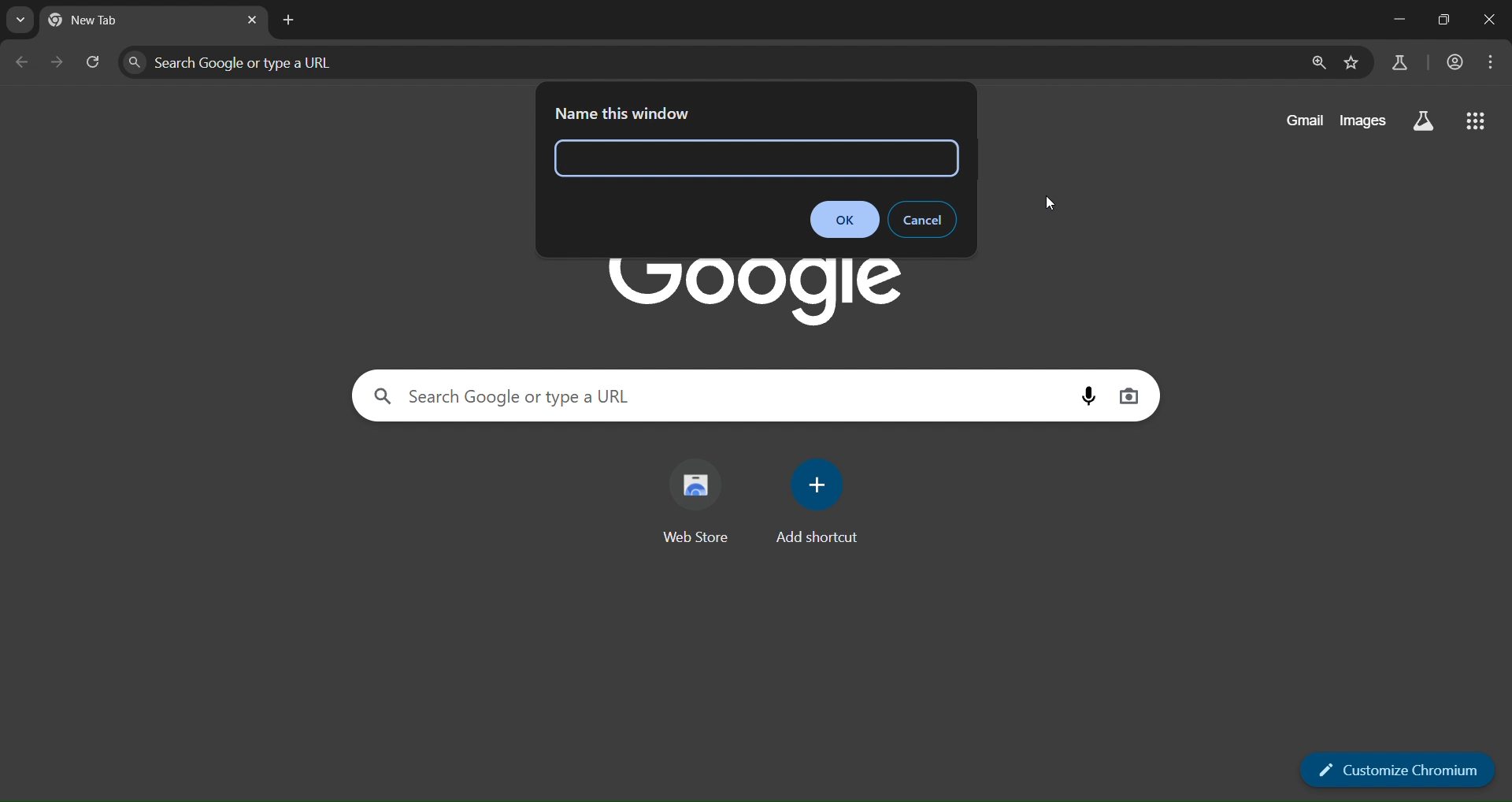 The height and width of the screenshot is (802, 1512). I want to click on name this window, so click(619, 111).